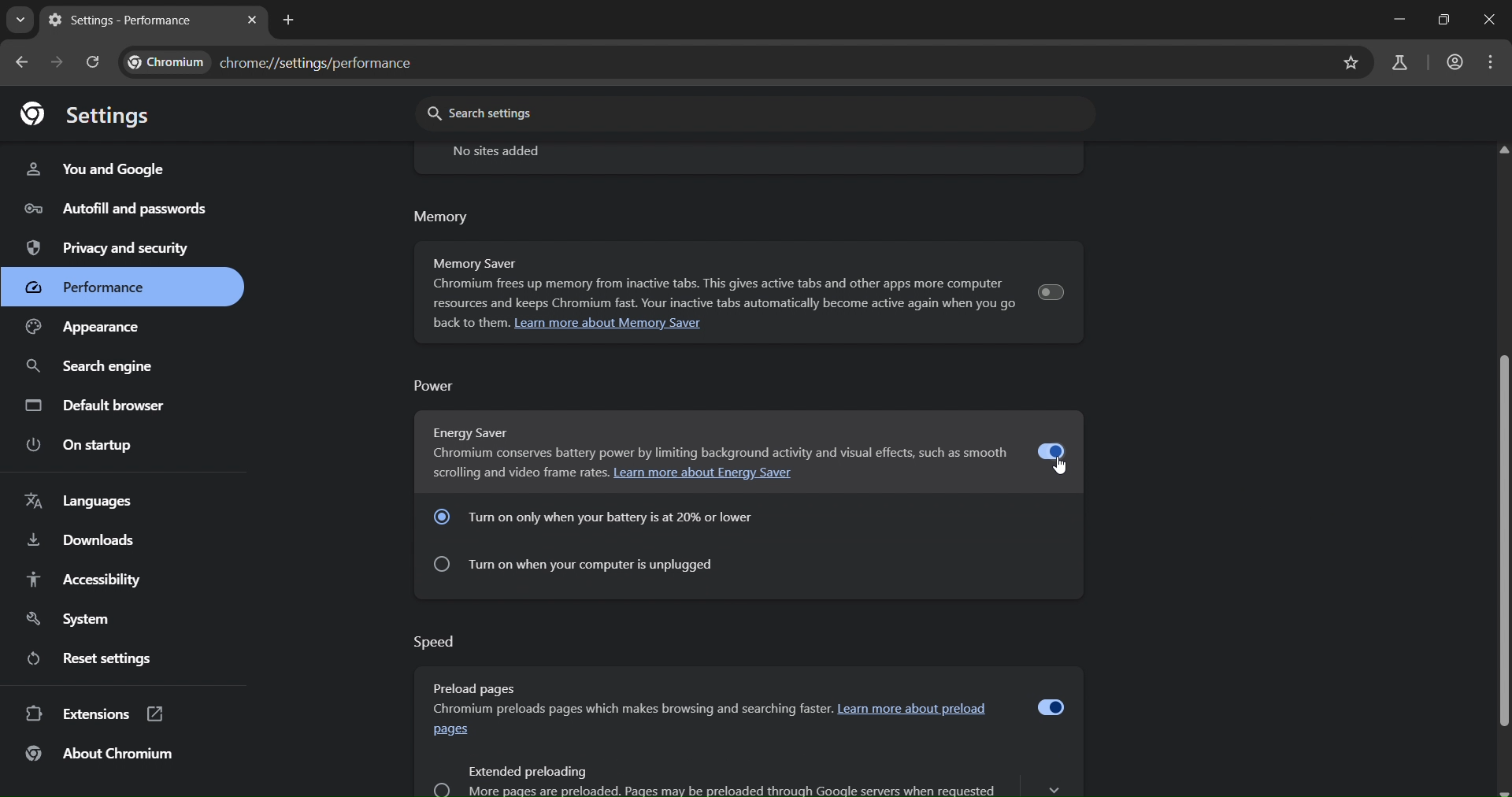 Image resolution: width=1512 pixels, height=797 pixels. I want to click on search settings, so click(529, 114).